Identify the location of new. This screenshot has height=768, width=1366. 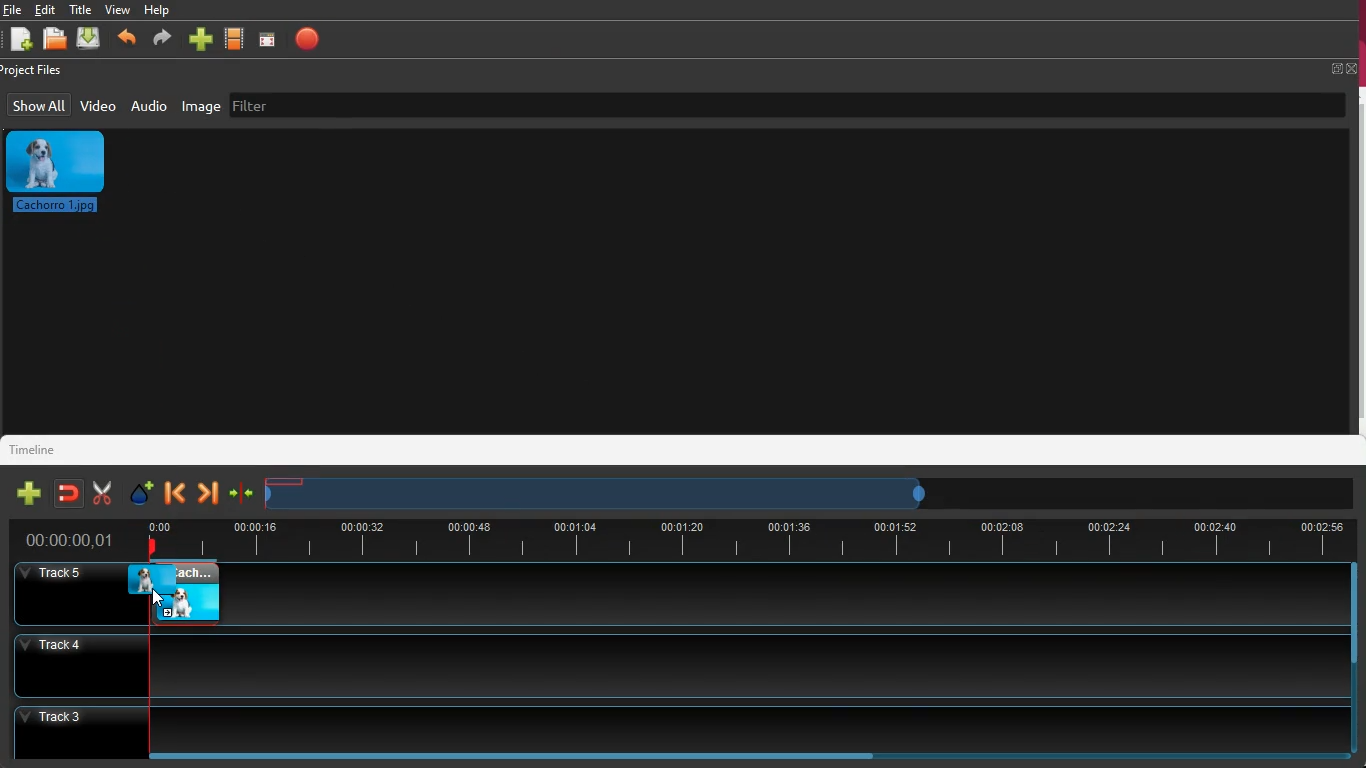
(29, 493).